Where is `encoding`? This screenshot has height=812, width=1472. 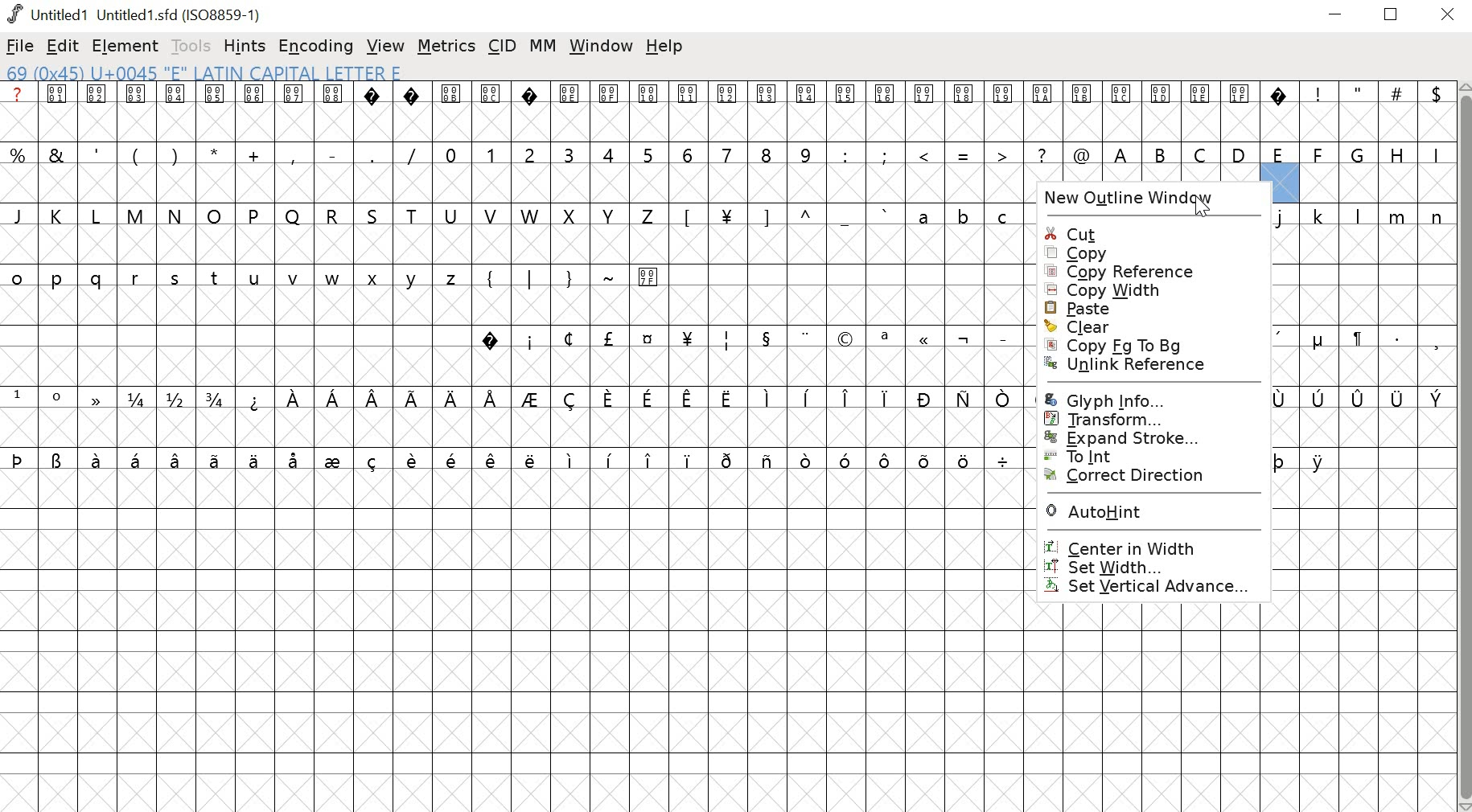 encoding is located at coordinates (316, 47).